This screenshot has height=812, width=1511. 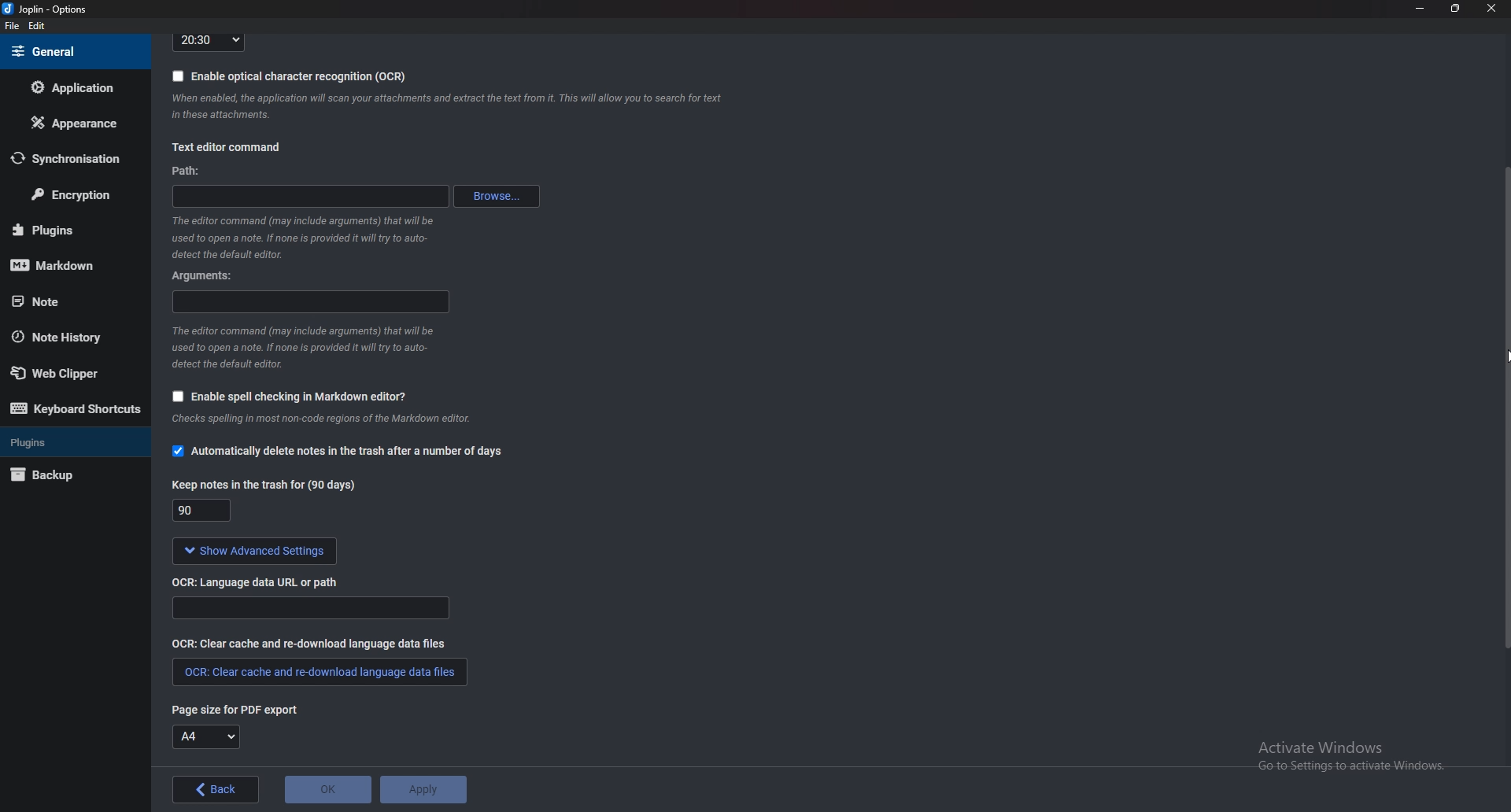 What do you see at coordinates (66, 477) in the screenshot?
I see `Back up` at bounding box center [66, 477].